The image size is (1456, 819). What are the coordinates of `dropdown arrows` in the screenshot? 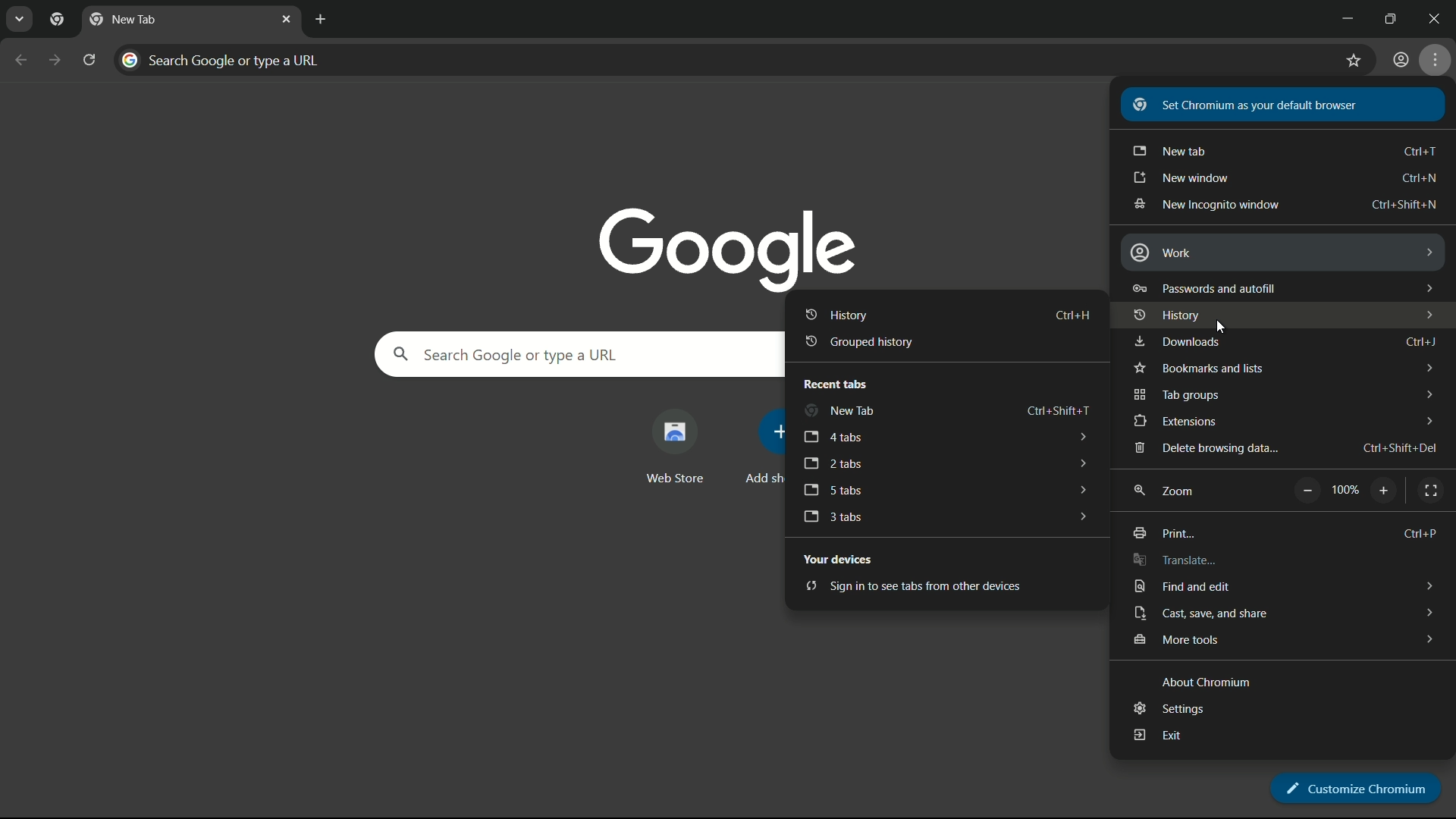 It's located at (1428, 419).